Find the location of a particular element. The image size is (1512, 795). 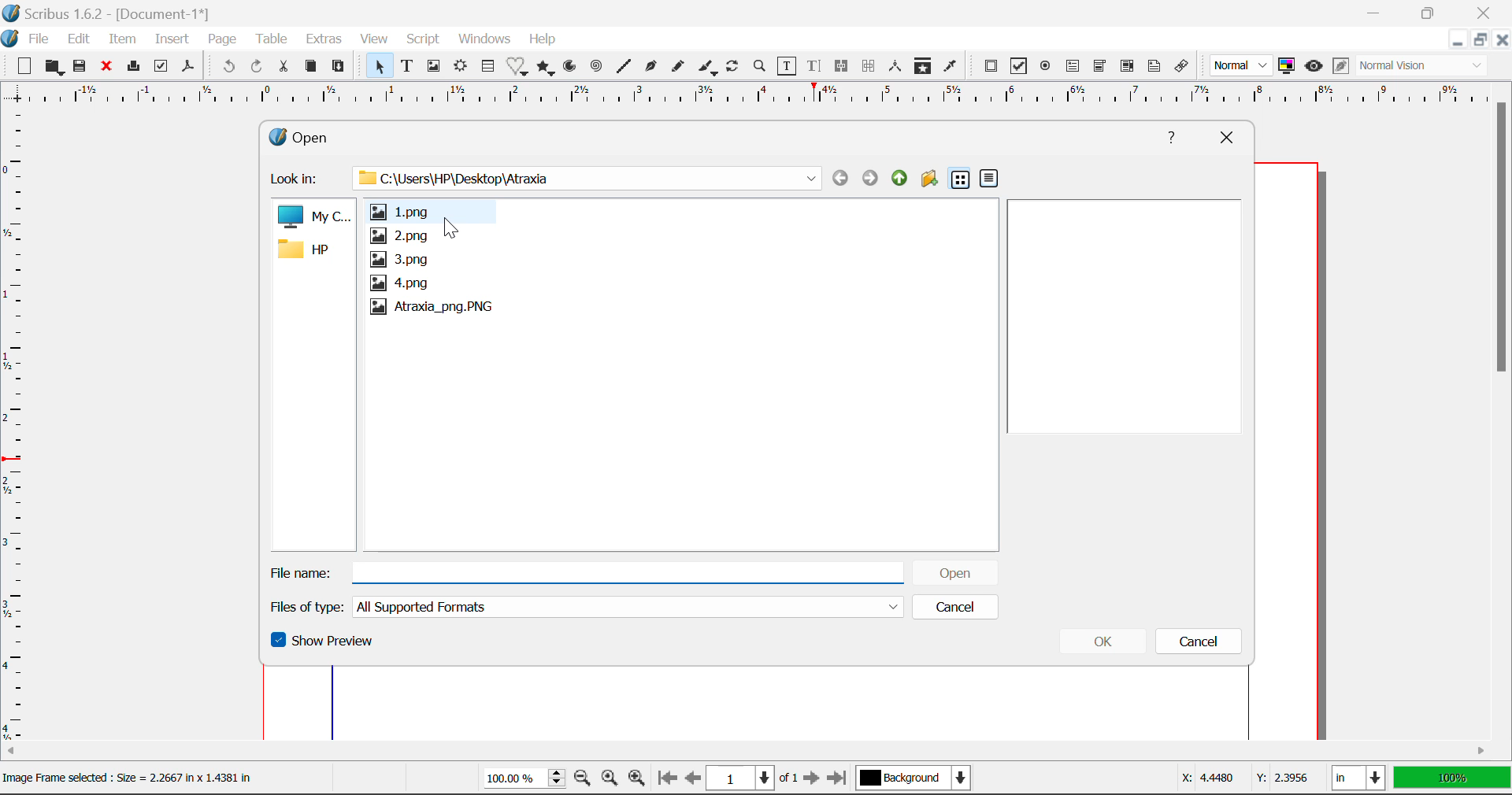

Polygons is located at coordinates (547, 68).